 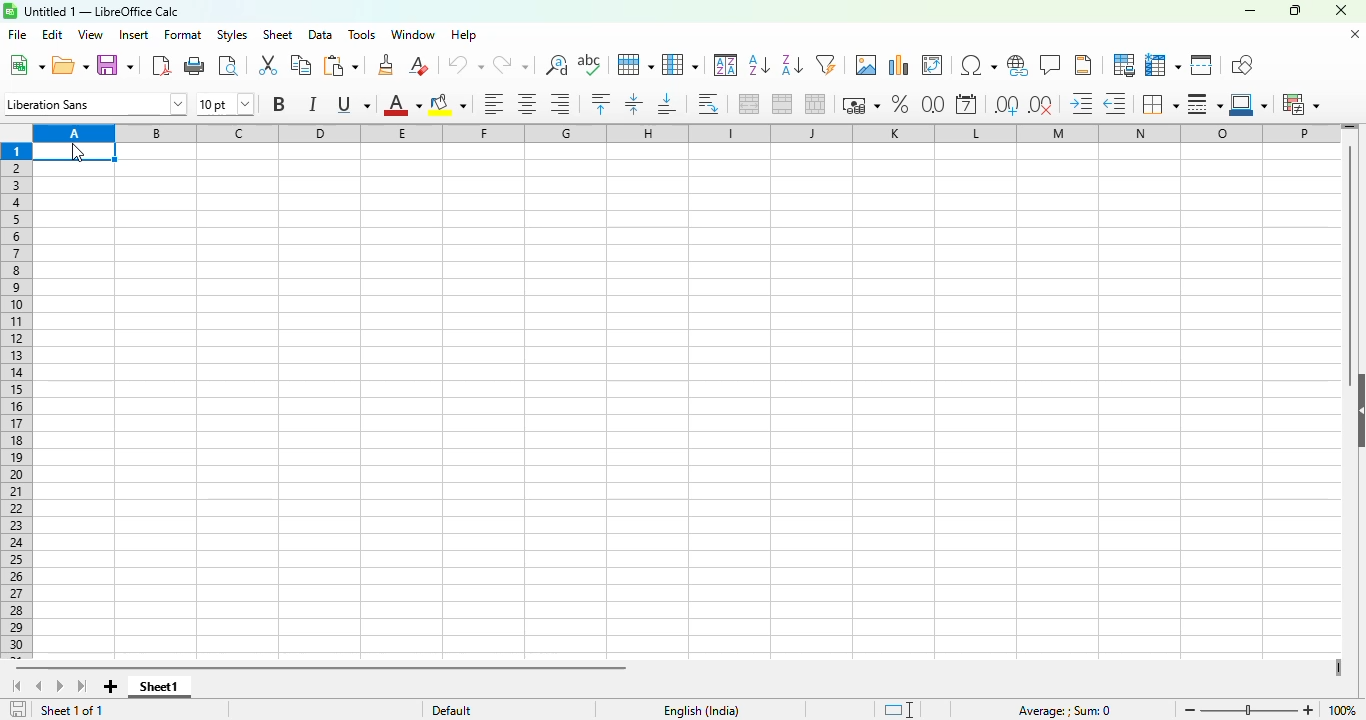 What do you see at coordinates (53, 35) in the screenshot?
I see `edit` at bounding box center [53, 35].